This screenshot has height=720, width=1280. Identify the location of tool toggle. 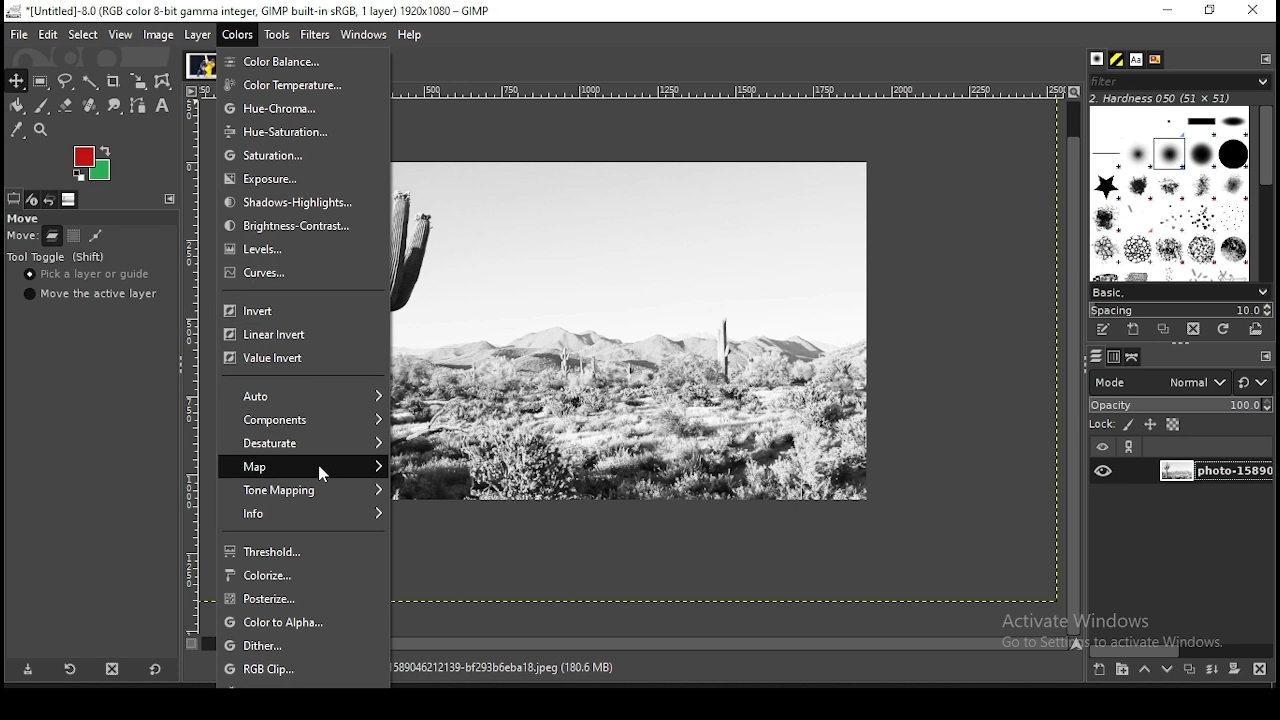
(57, 257).